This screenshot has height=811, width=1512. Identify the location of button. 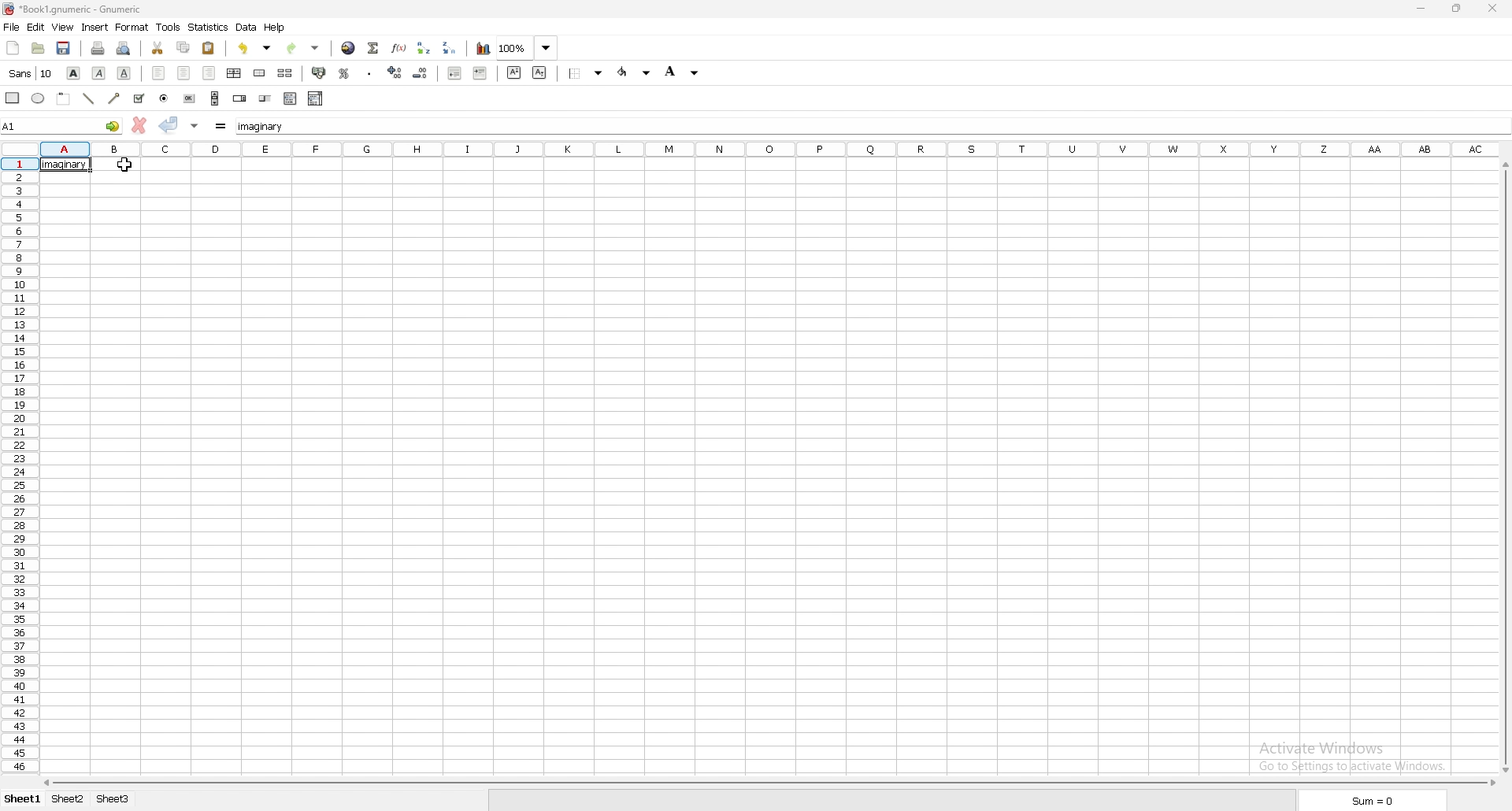
(191, 98).